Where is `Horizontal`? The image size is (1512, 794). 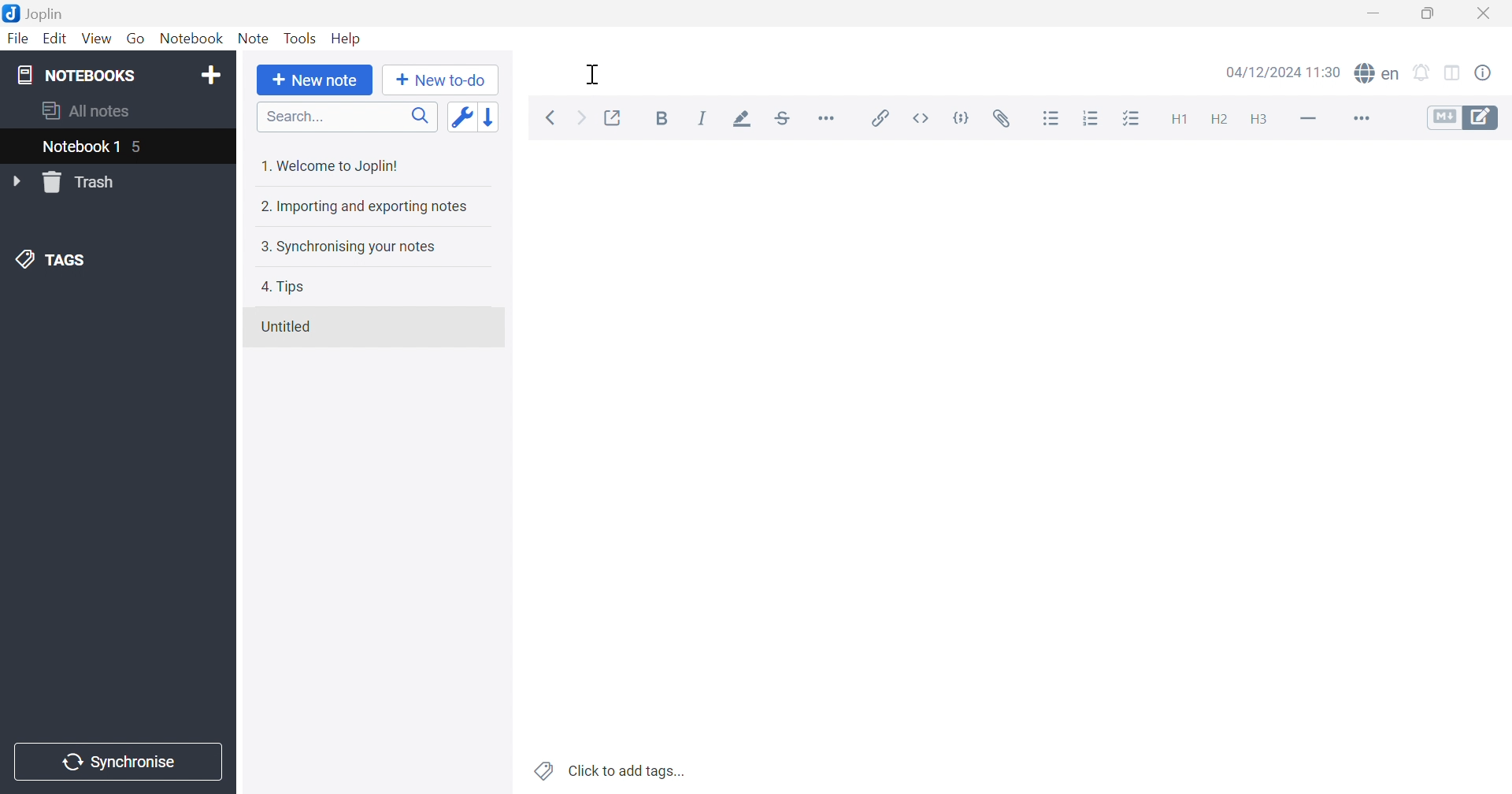 Horizontal is located at coordinates (828, 118).